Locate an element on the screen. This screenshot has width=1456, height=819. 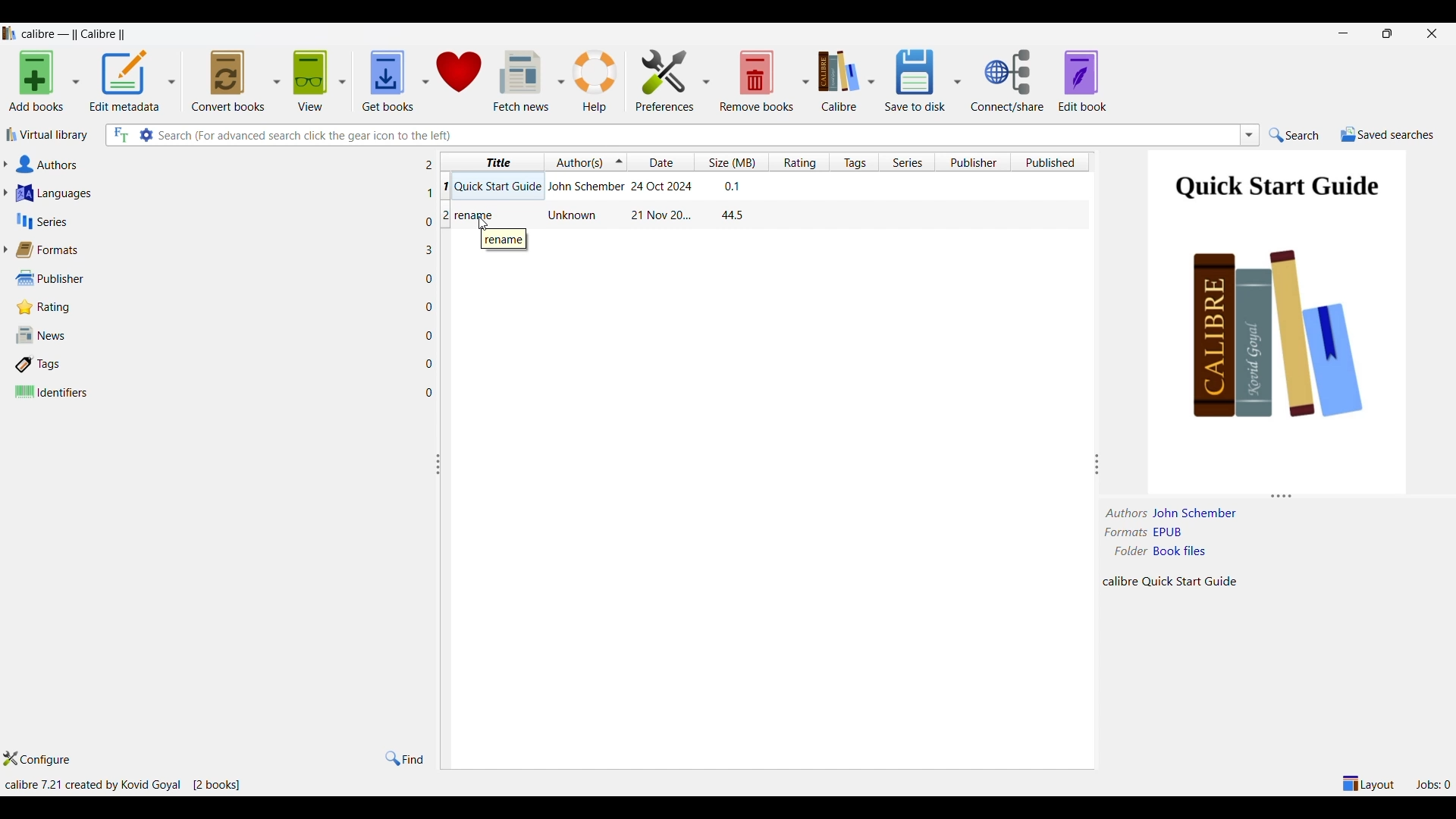
Details of software is located at coordinates (125, 785).